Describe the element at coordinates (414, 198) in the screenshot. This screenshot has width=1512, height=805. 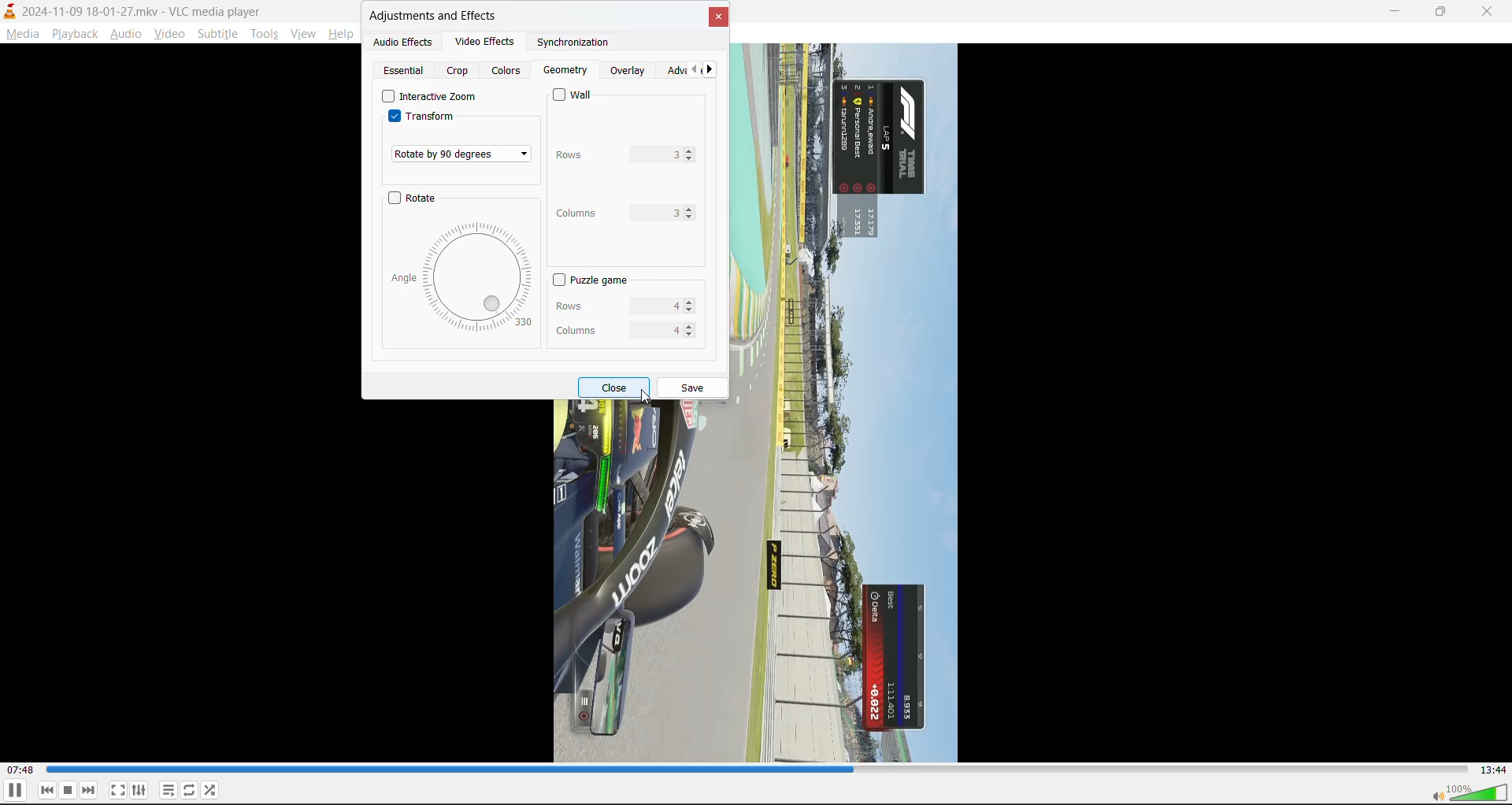
I see `rotate` at that location.